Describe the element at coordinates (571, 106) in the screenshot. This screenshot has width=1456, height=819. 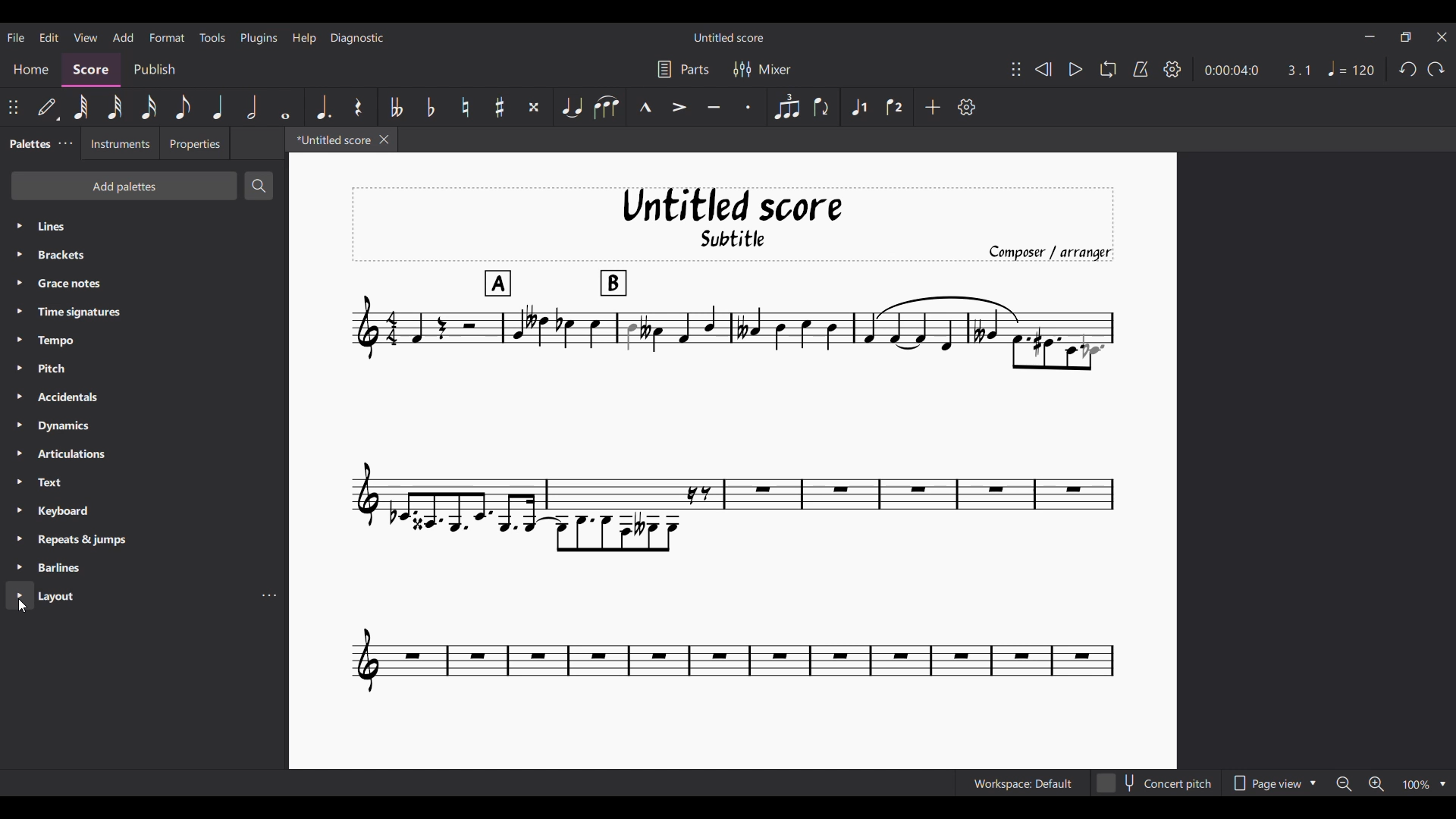
I see `Tie` at that location.